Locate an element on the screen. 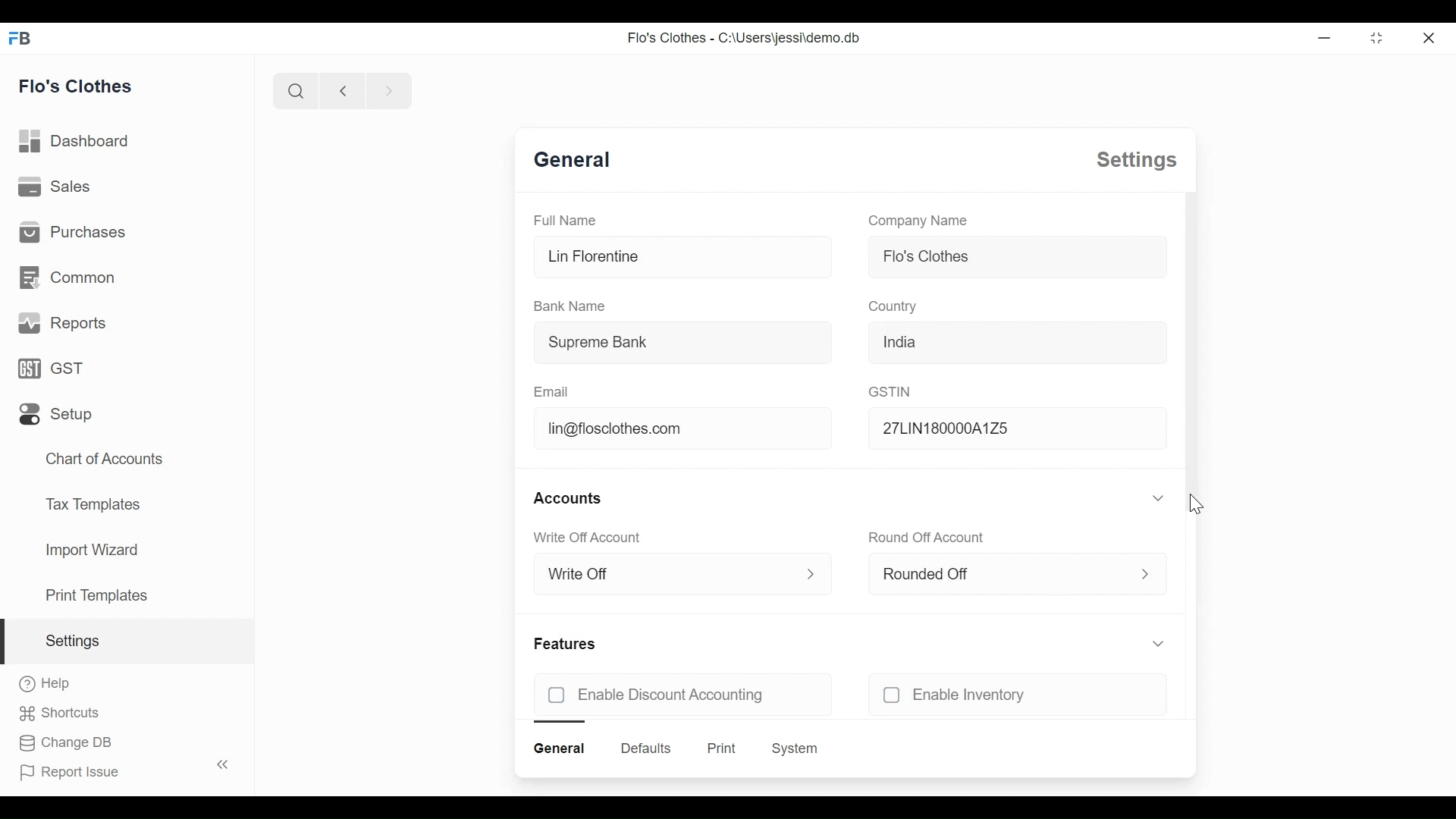 Image resolution: width=1456 pixels, height=819 pixels. Navigate back is located at coordinates (340, 90).